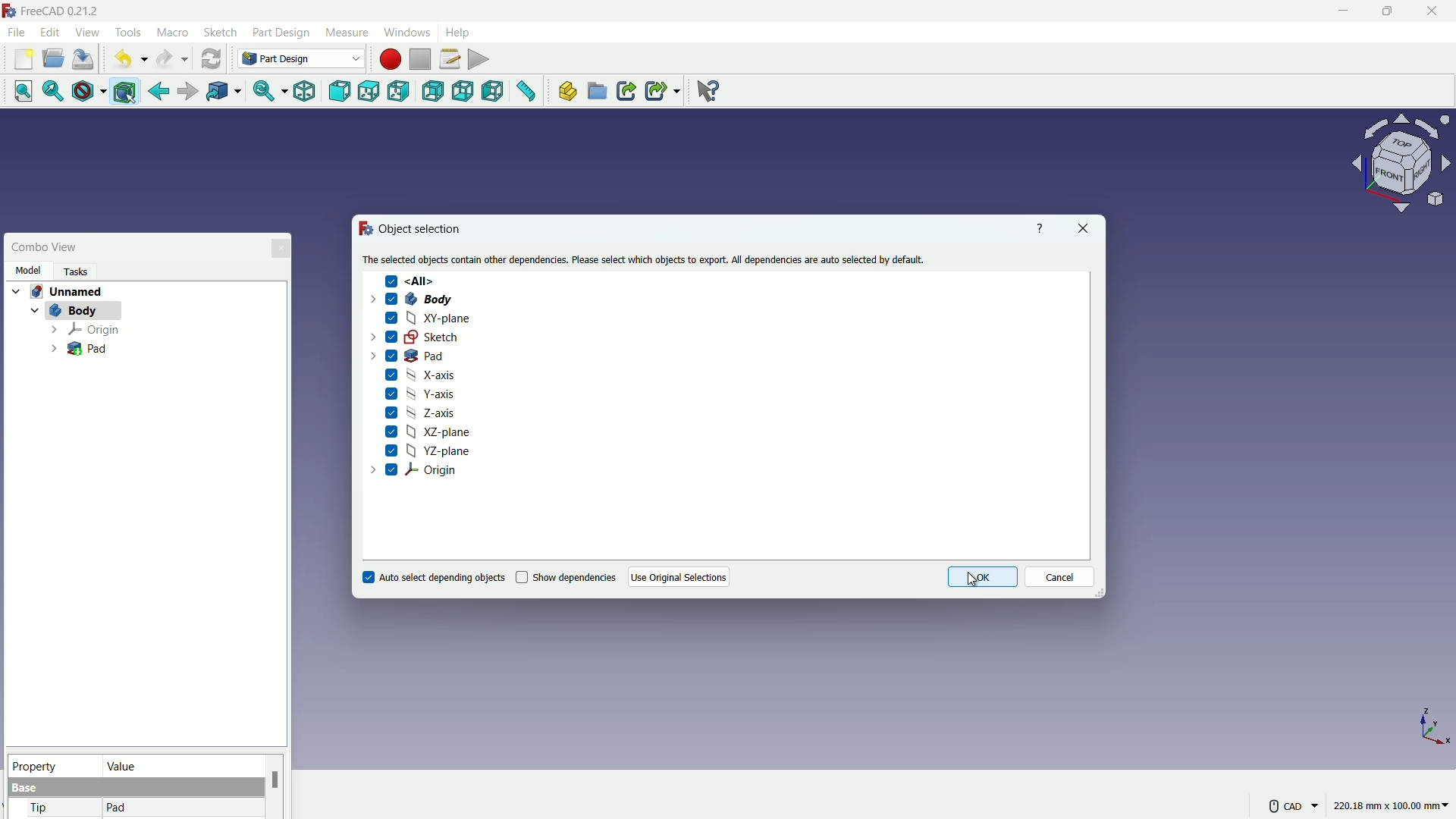 This screenshot has height=819, width=1456. Describe the element at coordinates (418, 299) in the screenshot. I see `Body` at that location.